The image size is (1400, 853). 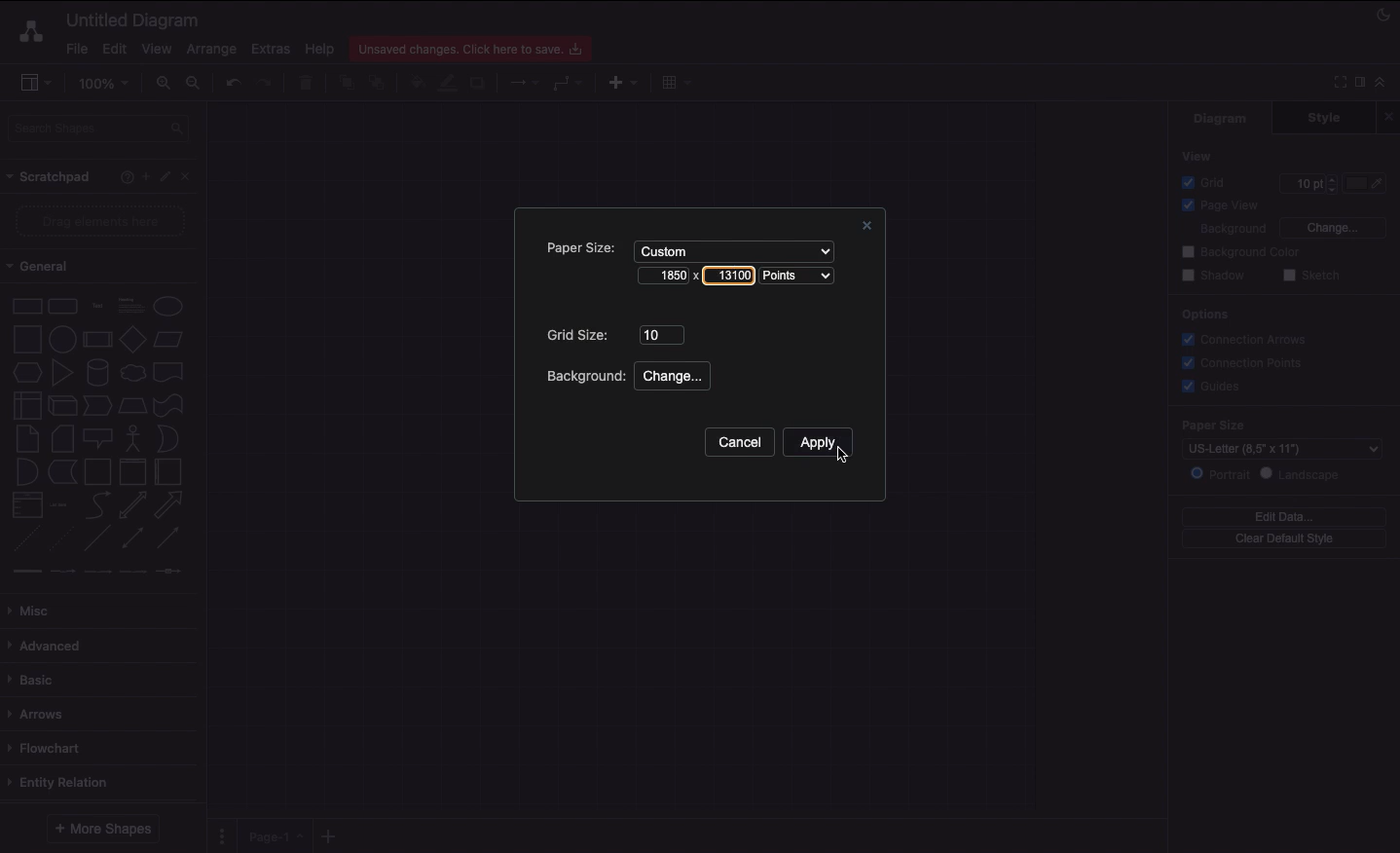 What do you see at coordinates (62, 572) in the screenshot?
I see `connector 2` at bounding box center [62, 572].